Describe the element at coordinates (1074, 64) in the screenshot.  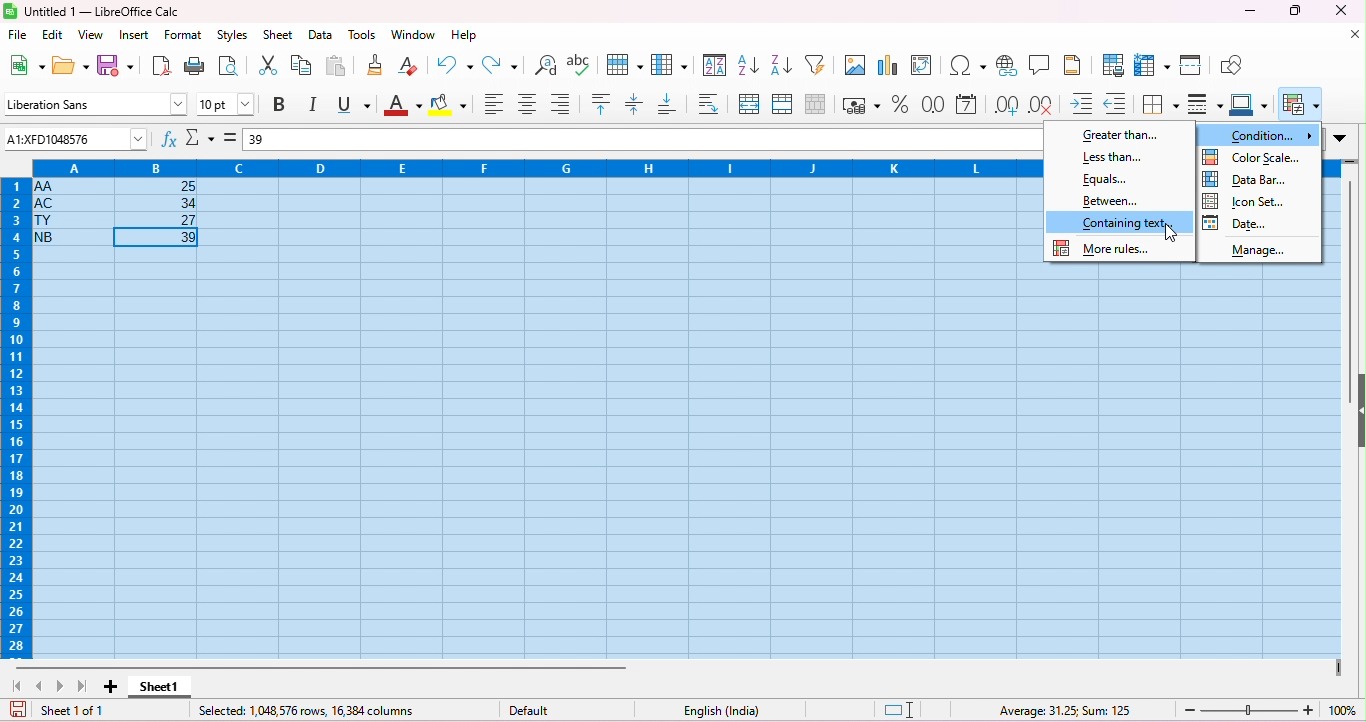
I see `header and footer` at that location.